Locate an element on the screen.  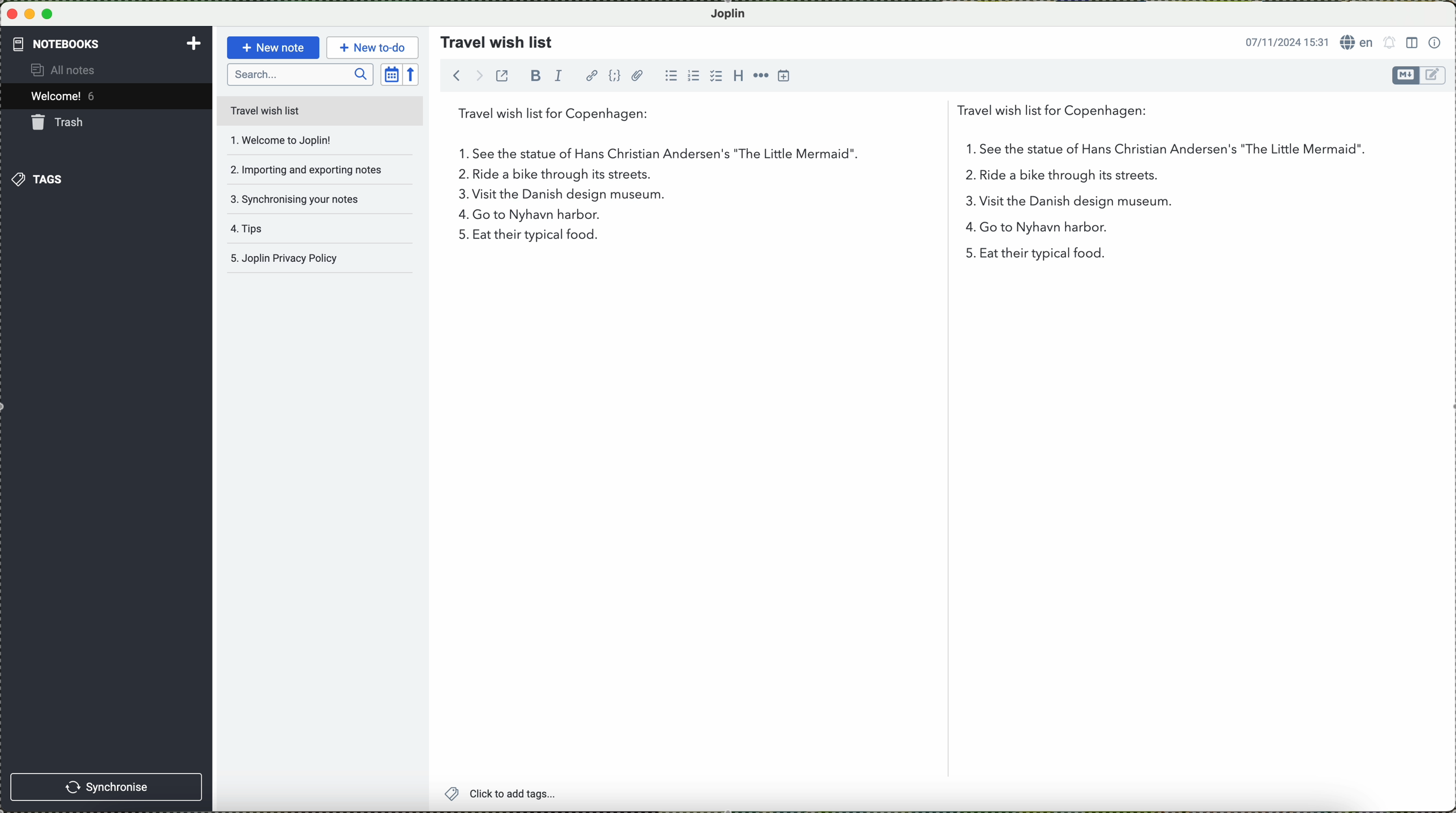
checkbox is located at coordinates (714, 76).